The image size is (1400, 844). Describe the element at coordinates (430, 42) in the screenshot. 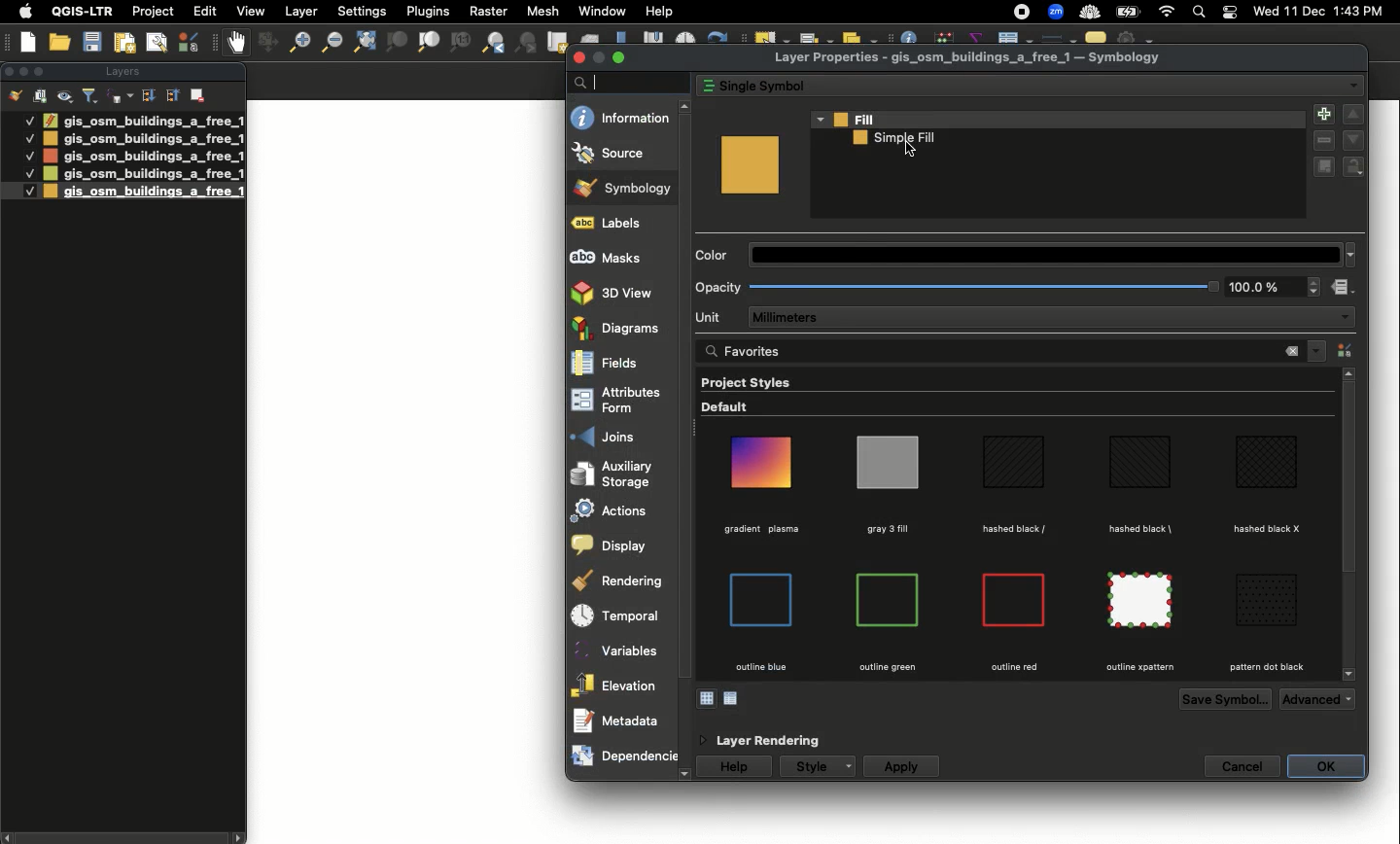

I see `Zoom to layer` at that location.